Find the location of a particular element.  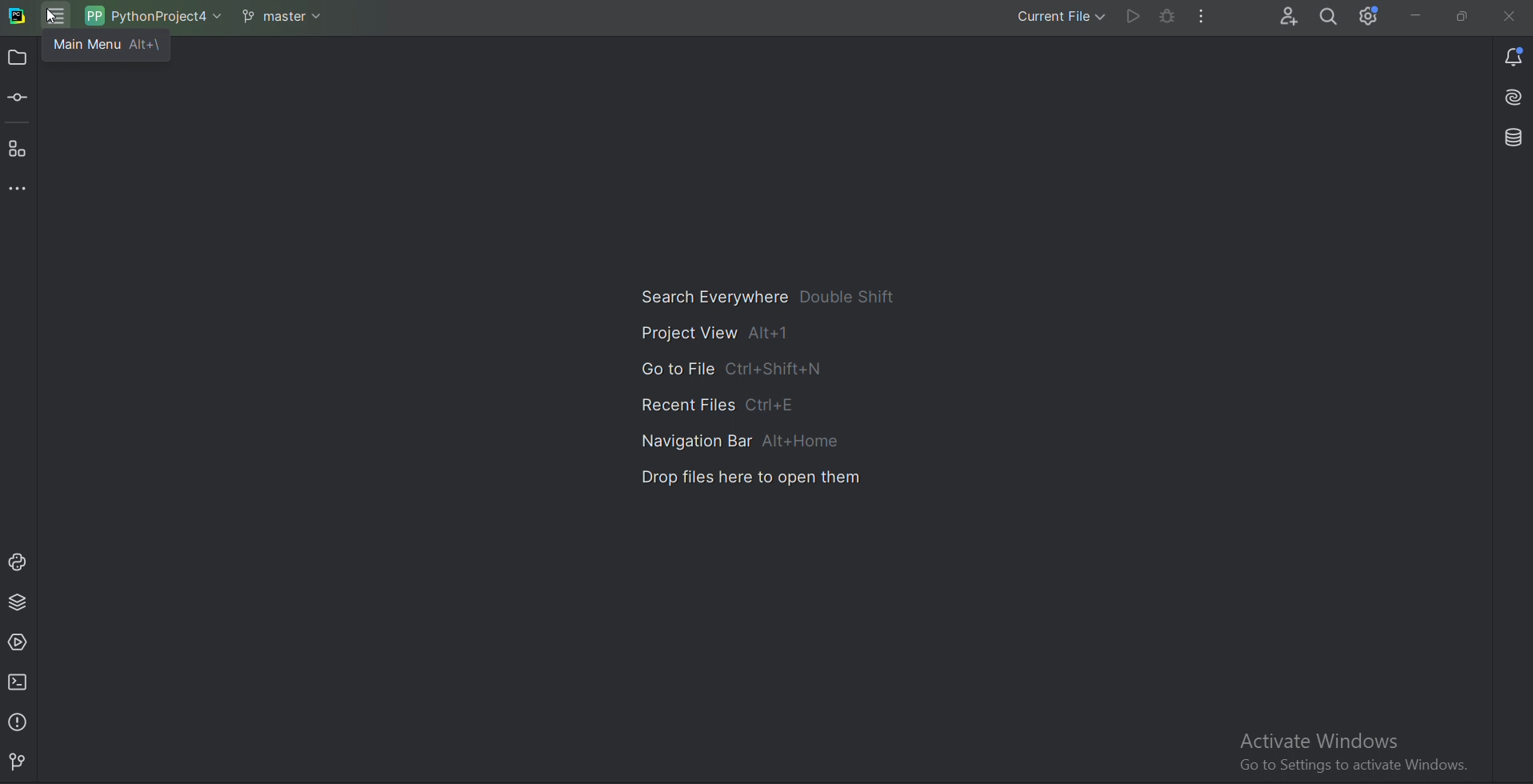

Current file is located at coordinates (1060, 14).